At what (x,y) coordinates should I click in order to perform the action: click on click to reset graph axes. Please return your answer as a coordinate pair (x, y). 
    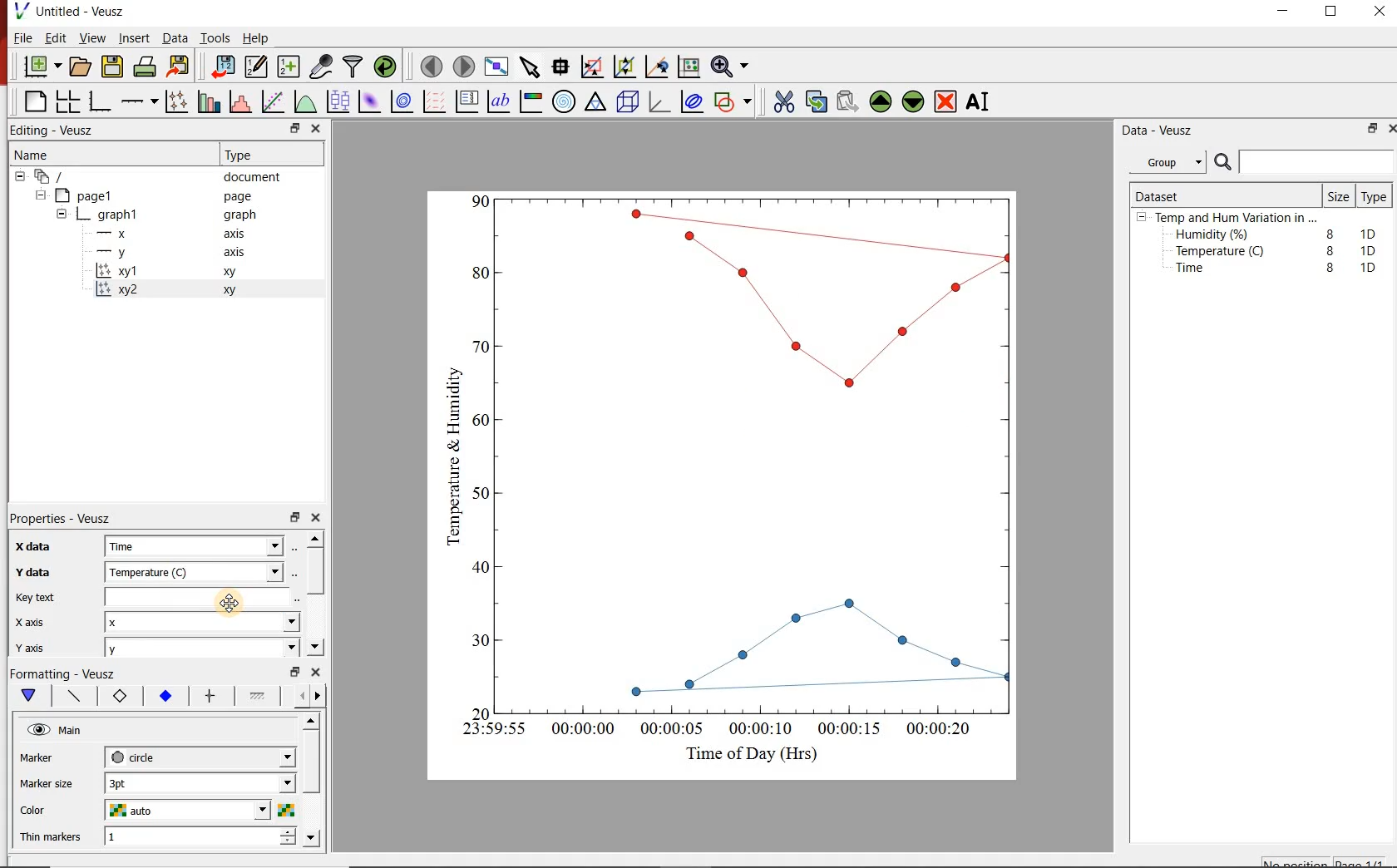
    Looking at the image, I should click on (686, 67).